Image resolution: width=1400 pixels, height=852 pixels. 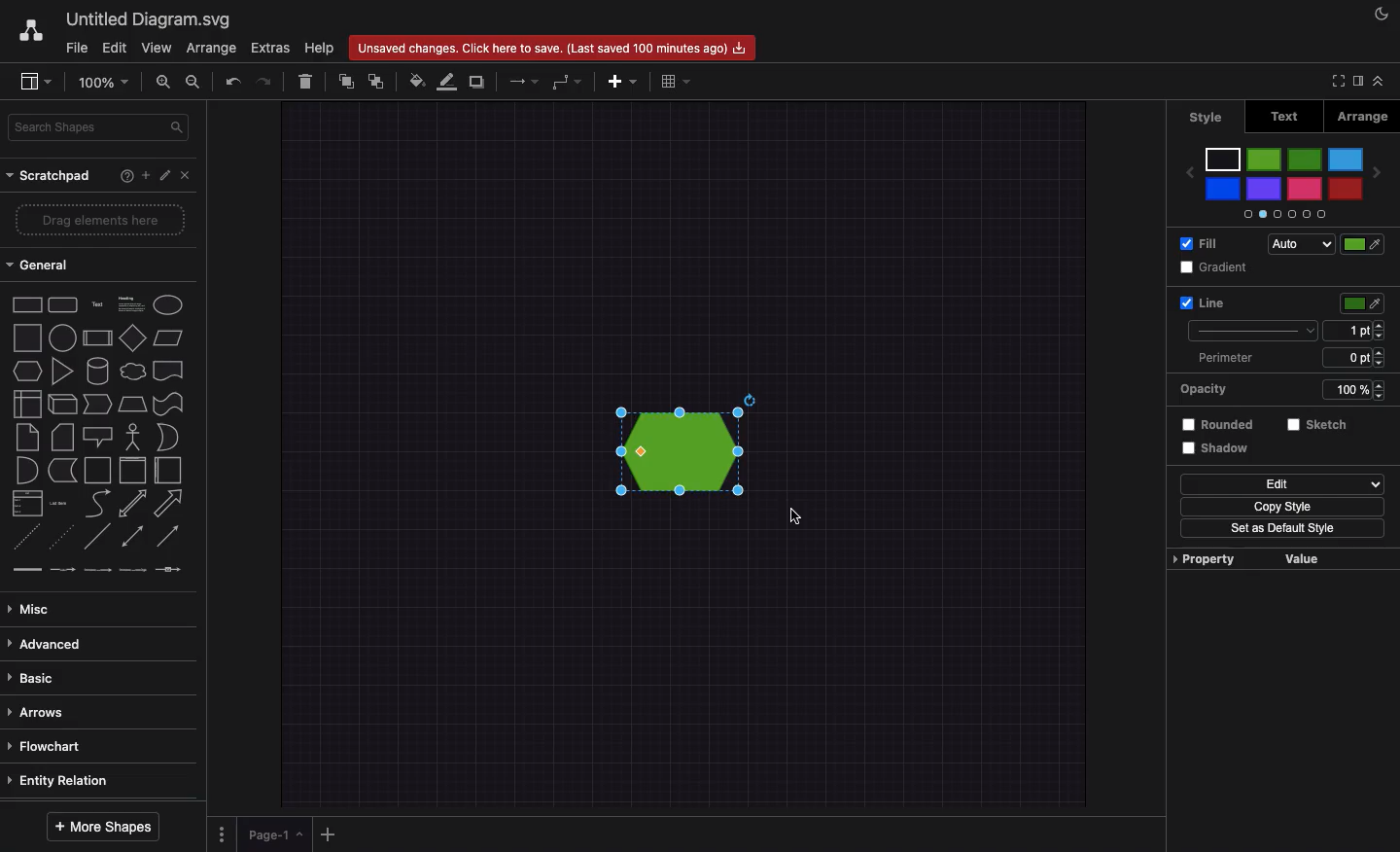 What do you see at coordinates (168, 177) in the screenshot?
I see `Edit` at bounding box center [168, 177].